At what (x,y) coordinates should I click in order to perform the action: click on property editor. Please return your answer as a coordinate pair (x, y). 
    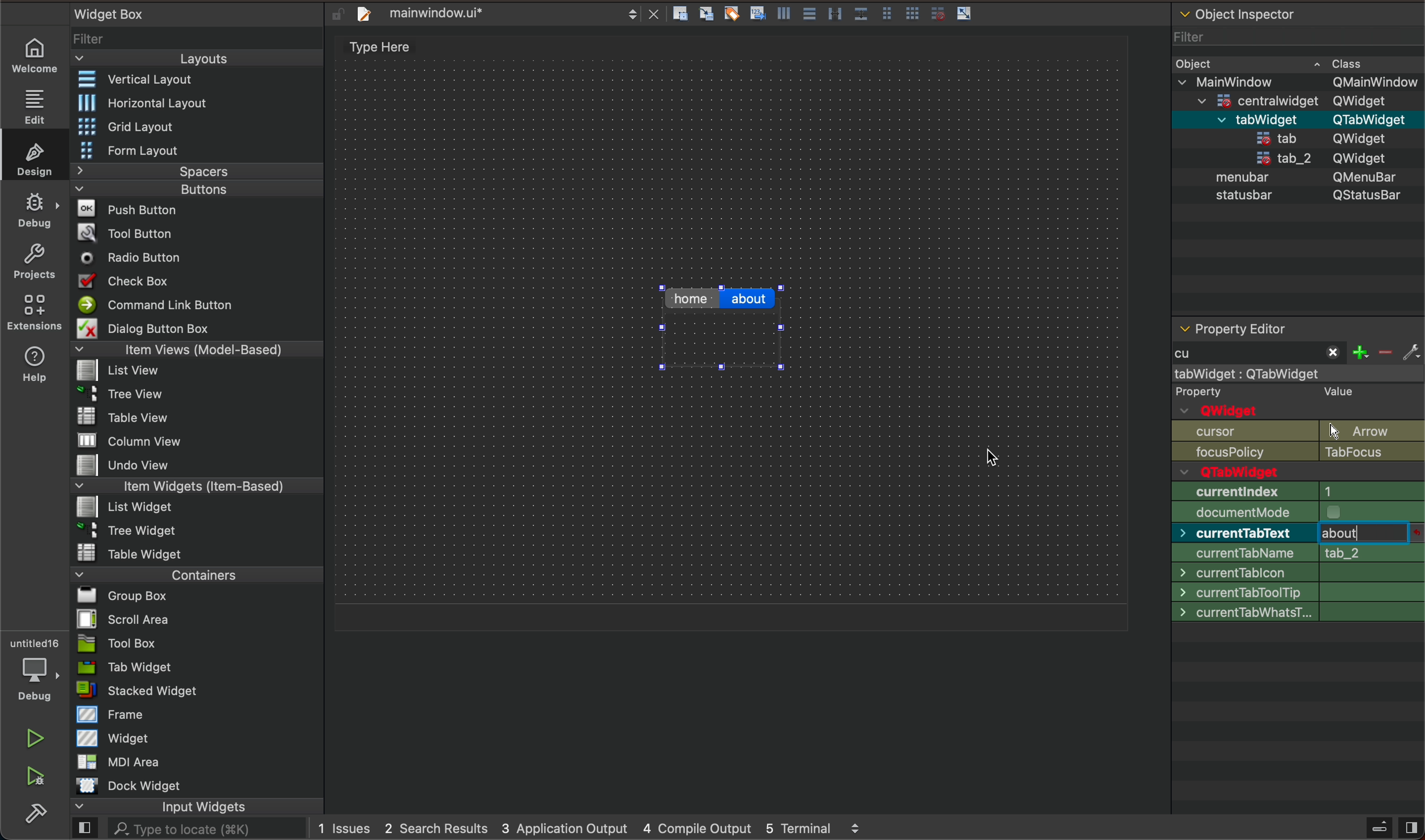
    Looking at the image, I should click on (1286, 326).